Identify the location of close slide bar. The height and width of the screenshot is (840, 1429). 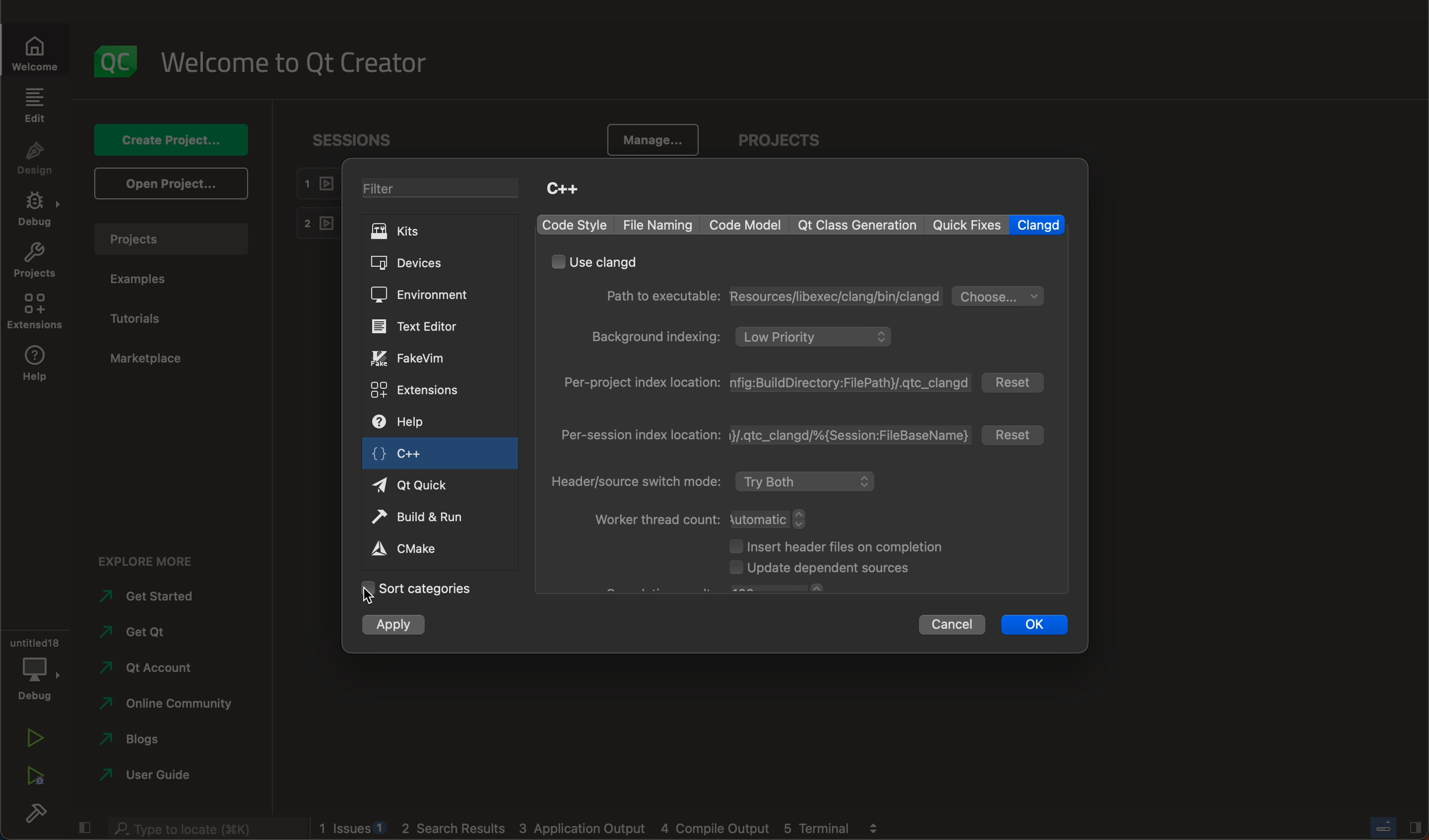
(1389, 827).